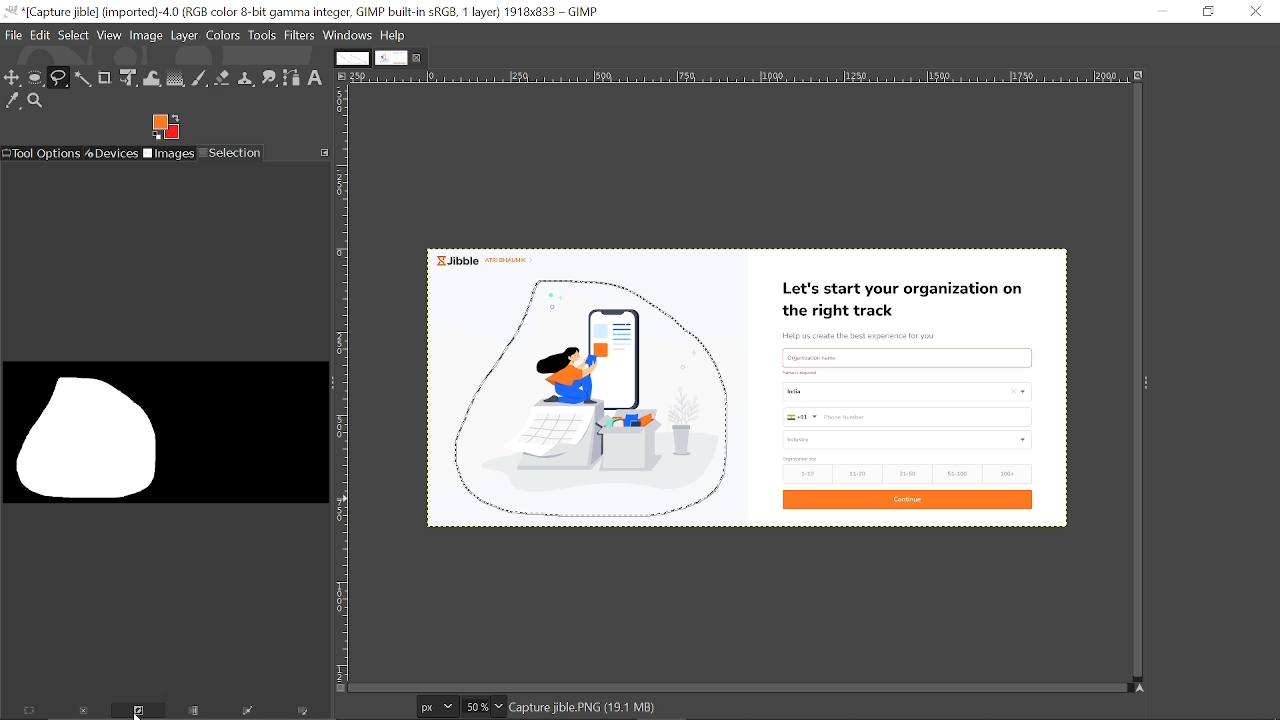 The height and width of the screenshot is (720, 1280). Describe the element at coordinates (270, 77) in the screenshot. I see `Smudge tool` at that location.